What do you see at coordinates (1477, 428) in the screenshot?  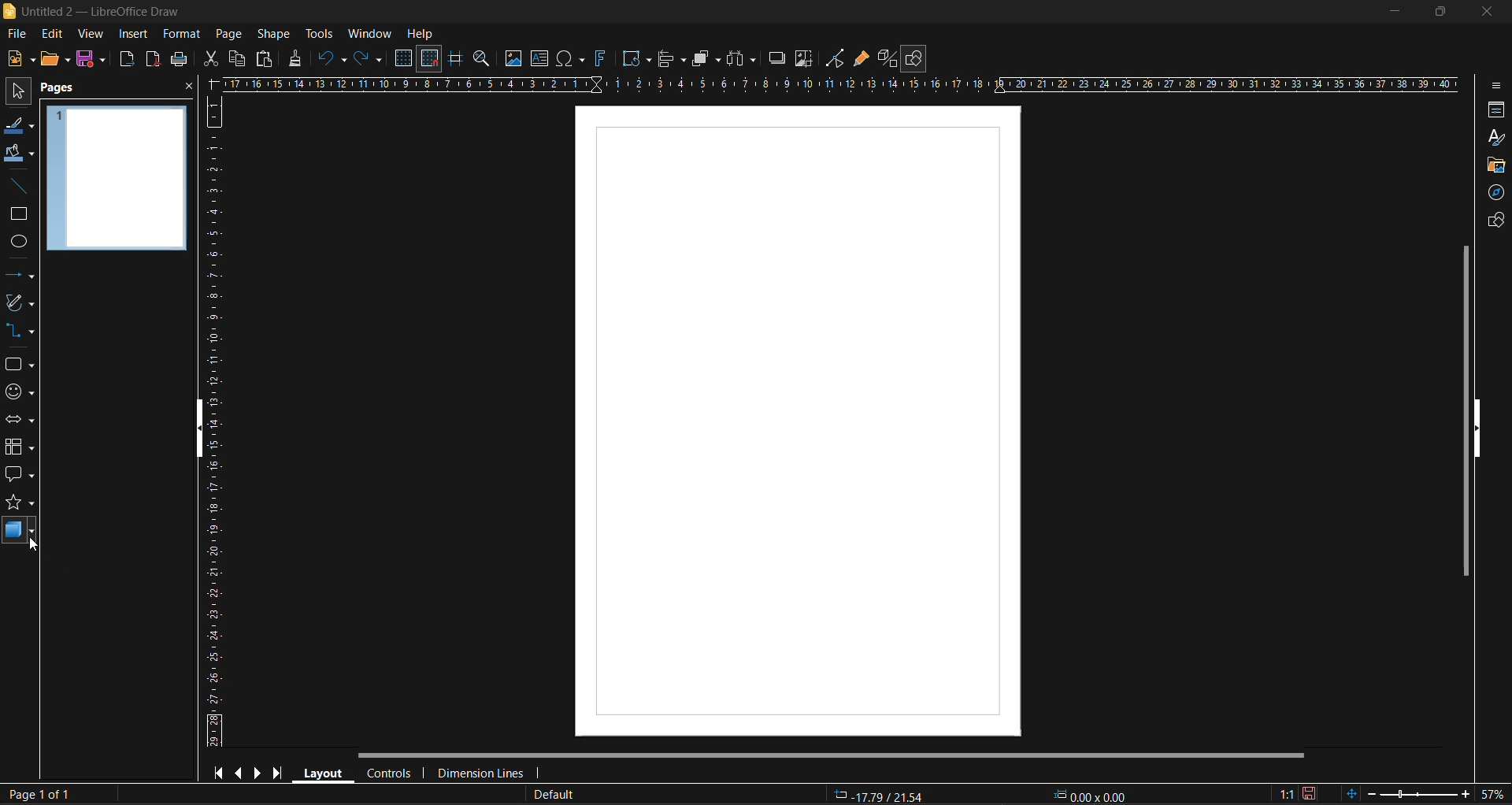 I see `hide` at bounding box center [1477, 428].